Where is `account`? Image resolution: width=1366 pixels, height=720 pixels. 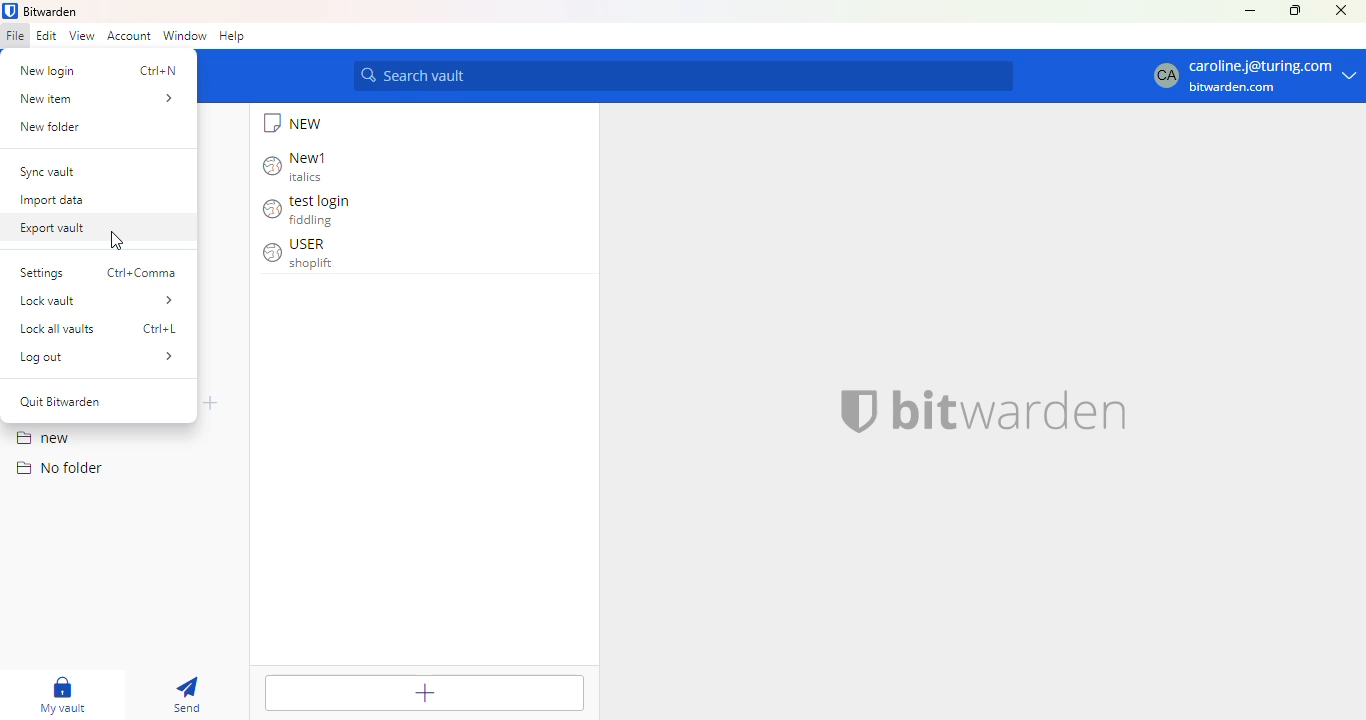 account is located at coordinates (129, 37).